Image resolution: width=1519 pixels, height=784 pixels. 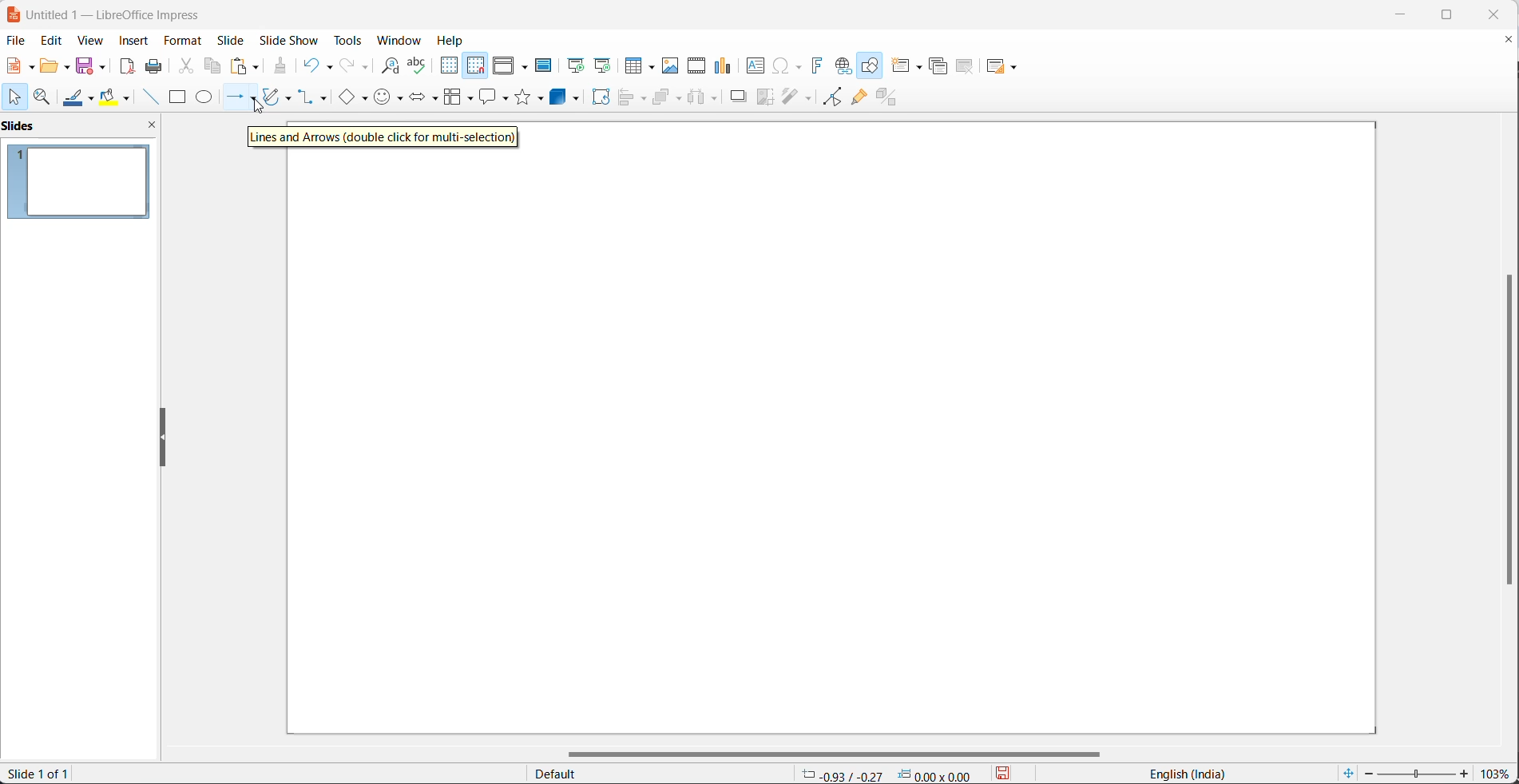 I want to click on basic shapes, so click(x=351, y=98).